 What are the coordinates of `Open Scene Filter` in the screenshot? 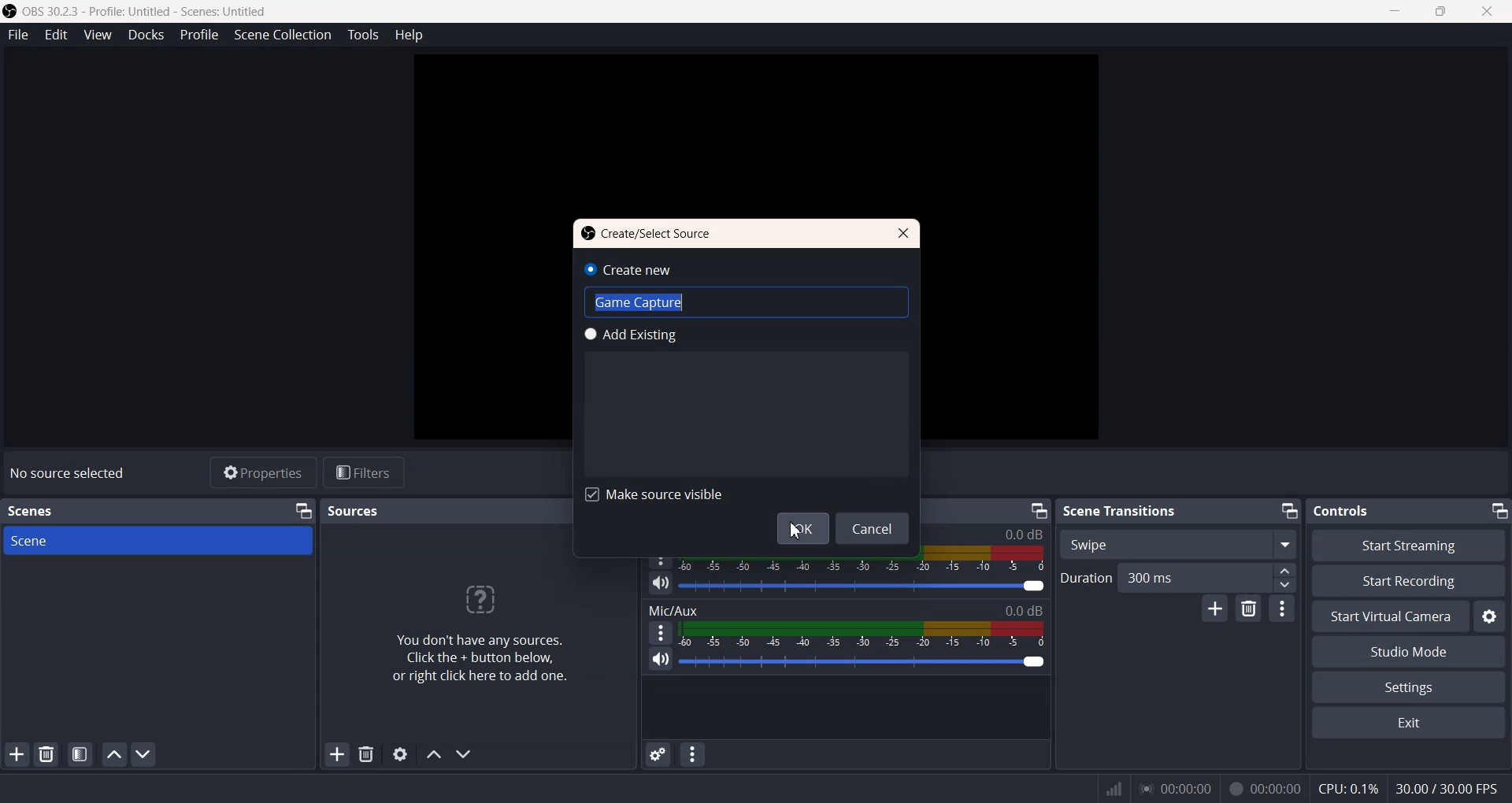 It's located at (80, 754).